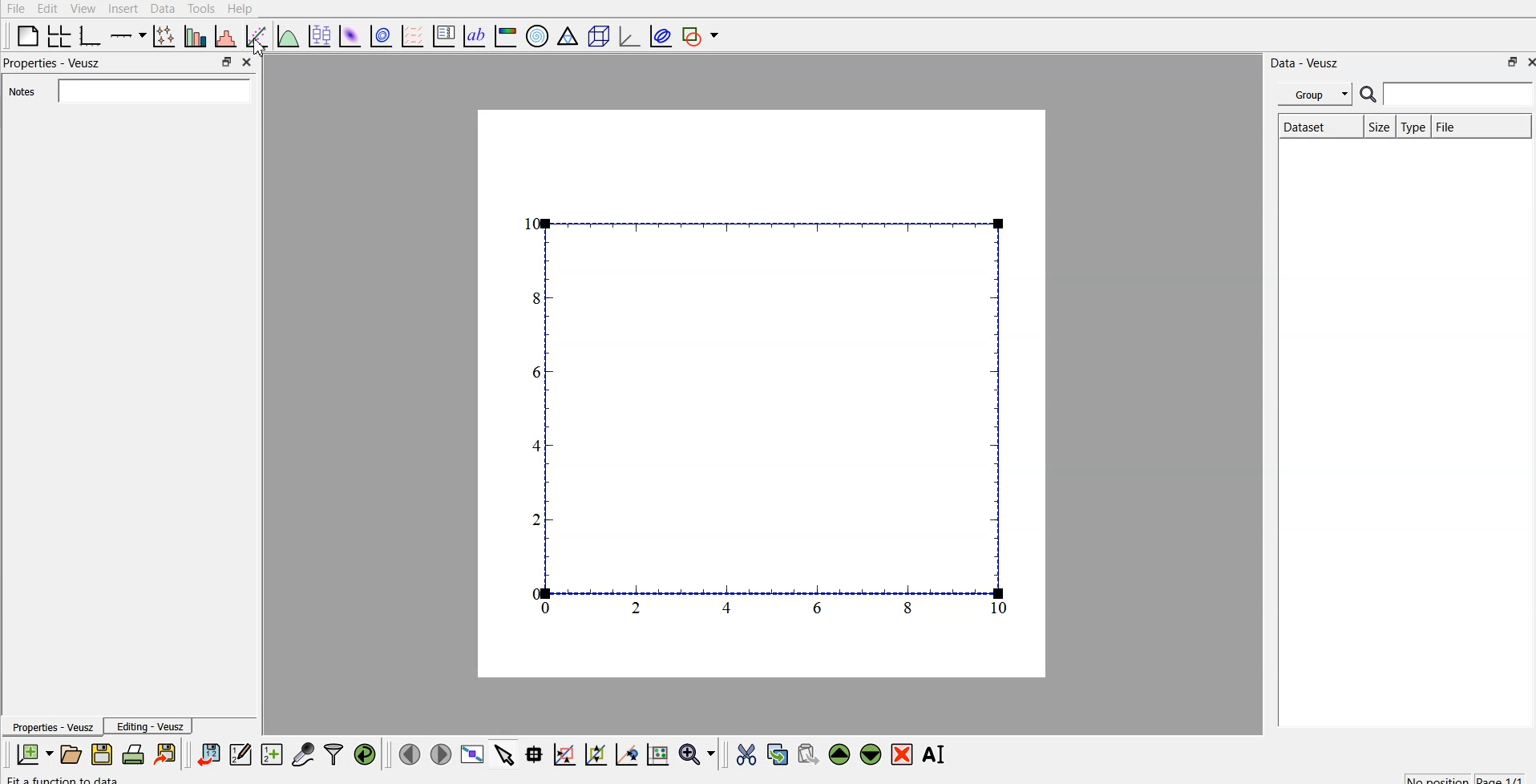  I want to click on open a new document, so click(71, 757).